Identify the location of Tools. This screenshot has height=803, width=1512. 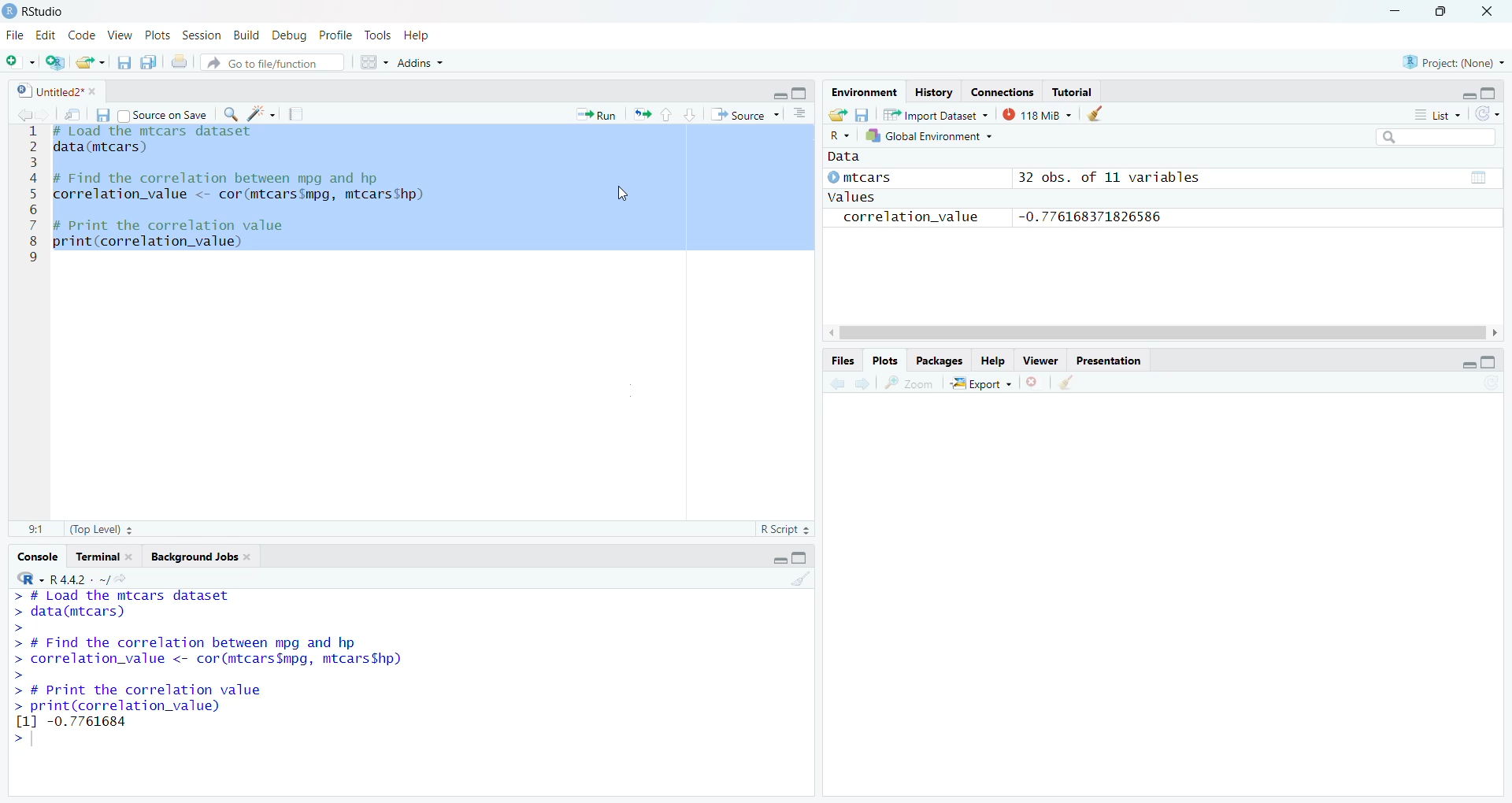
(376, 35).